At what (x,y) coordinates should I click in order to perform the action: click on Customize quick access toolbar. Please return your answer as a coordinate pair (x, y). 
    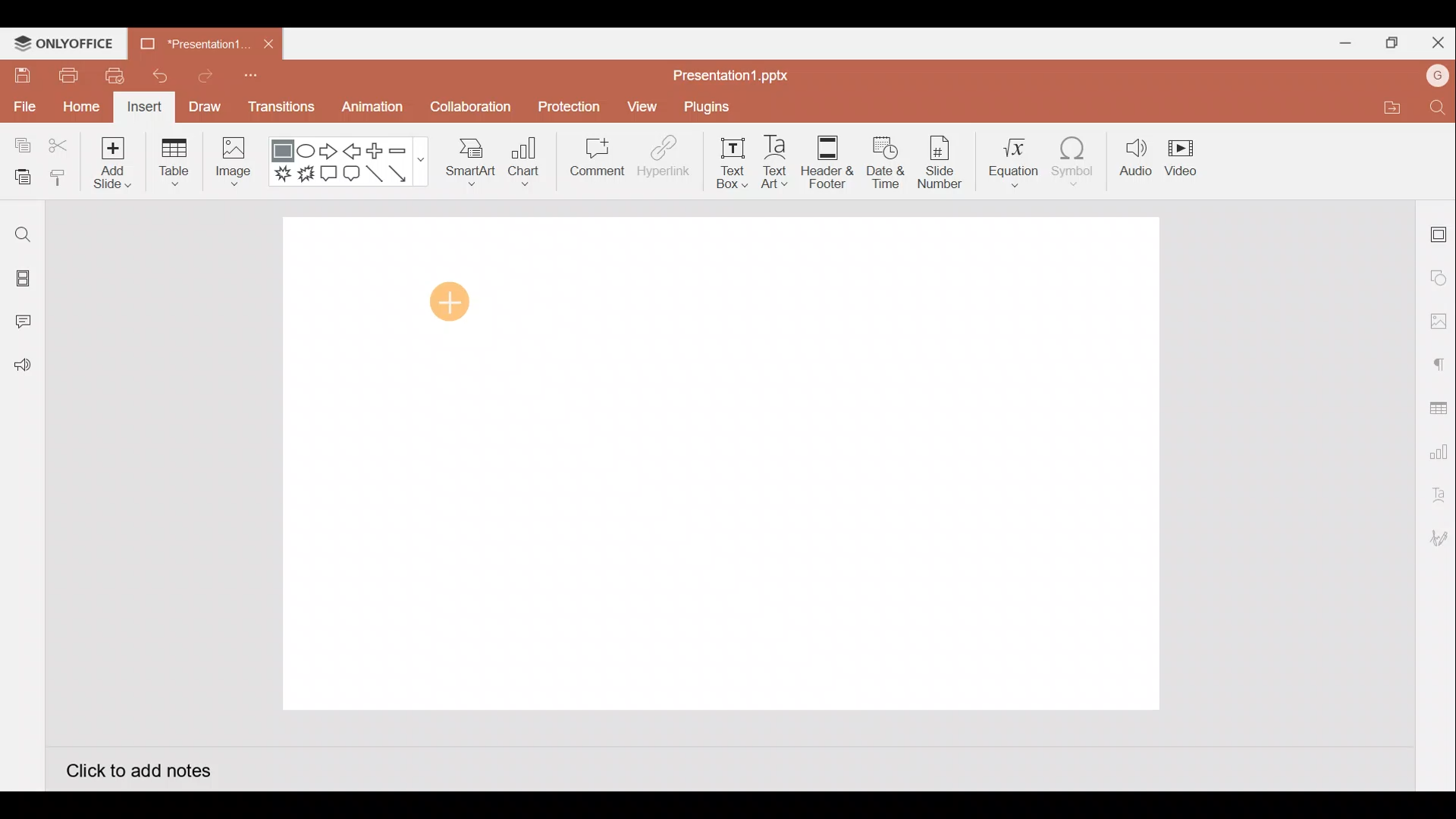
    Looking at the image, I should click on (256, 80).